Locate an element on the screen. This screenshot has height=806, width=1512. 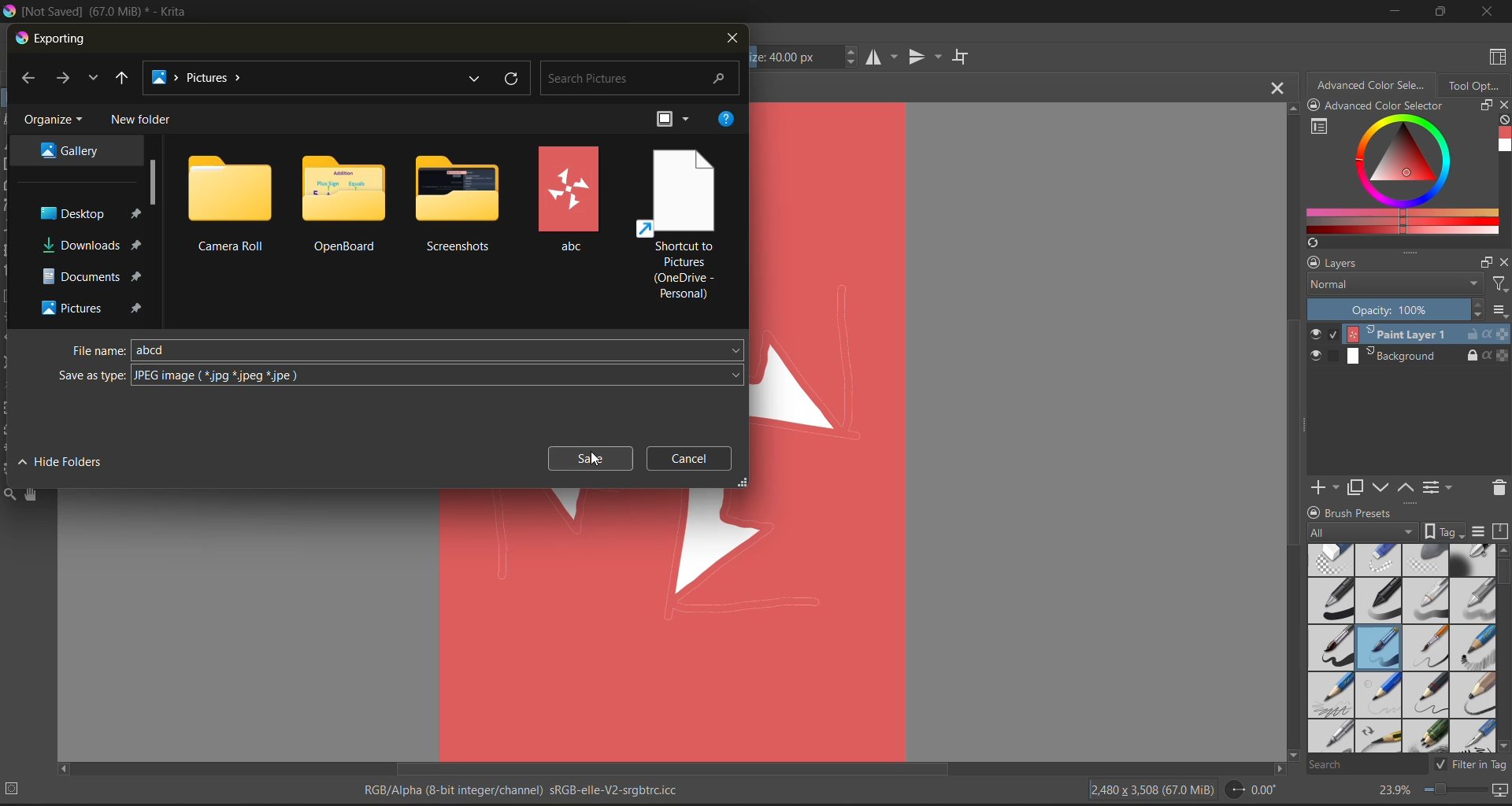
normal is located at coordinates (1393, 289).